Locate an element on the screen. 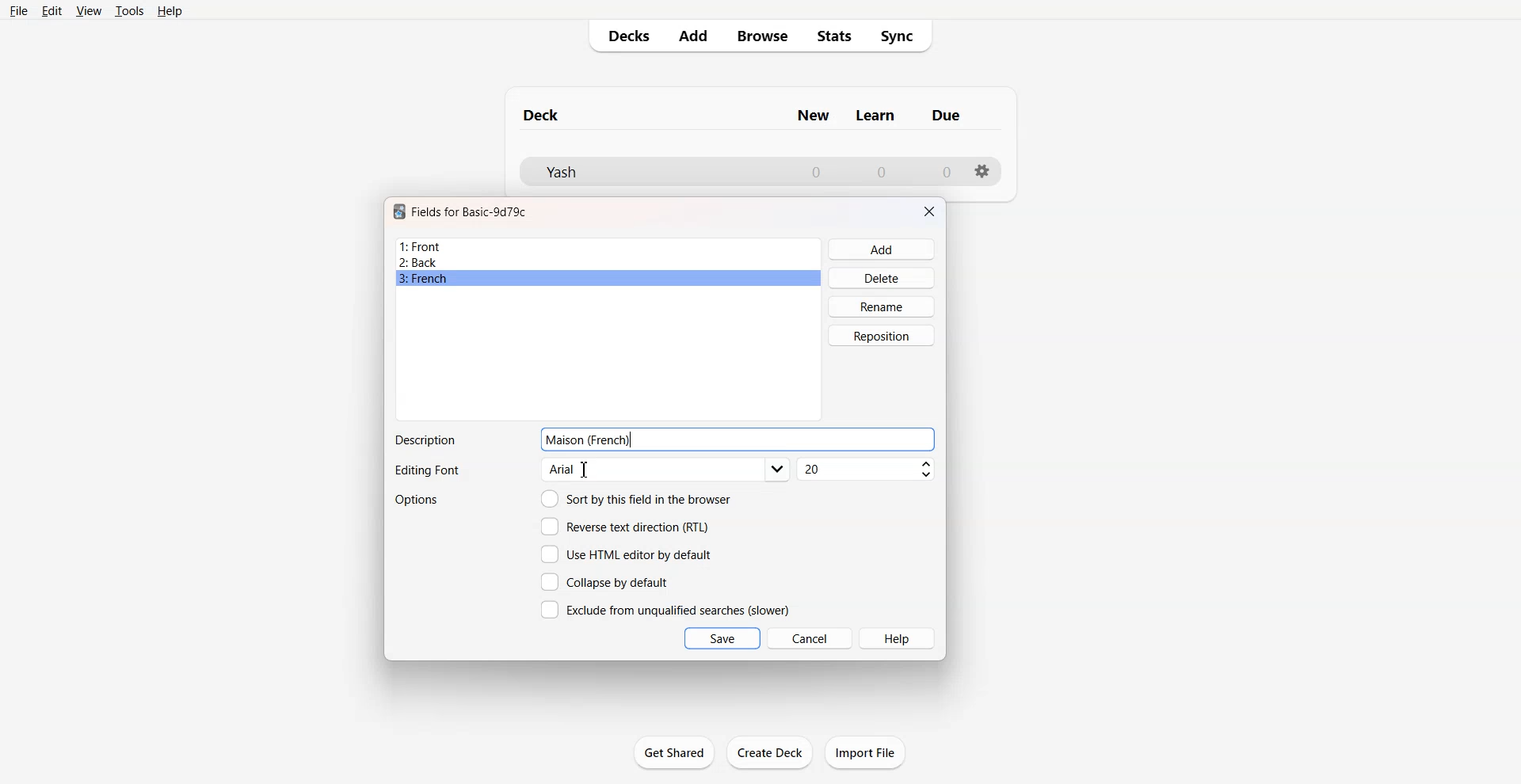  Decks is located at coordinates (623, 36).